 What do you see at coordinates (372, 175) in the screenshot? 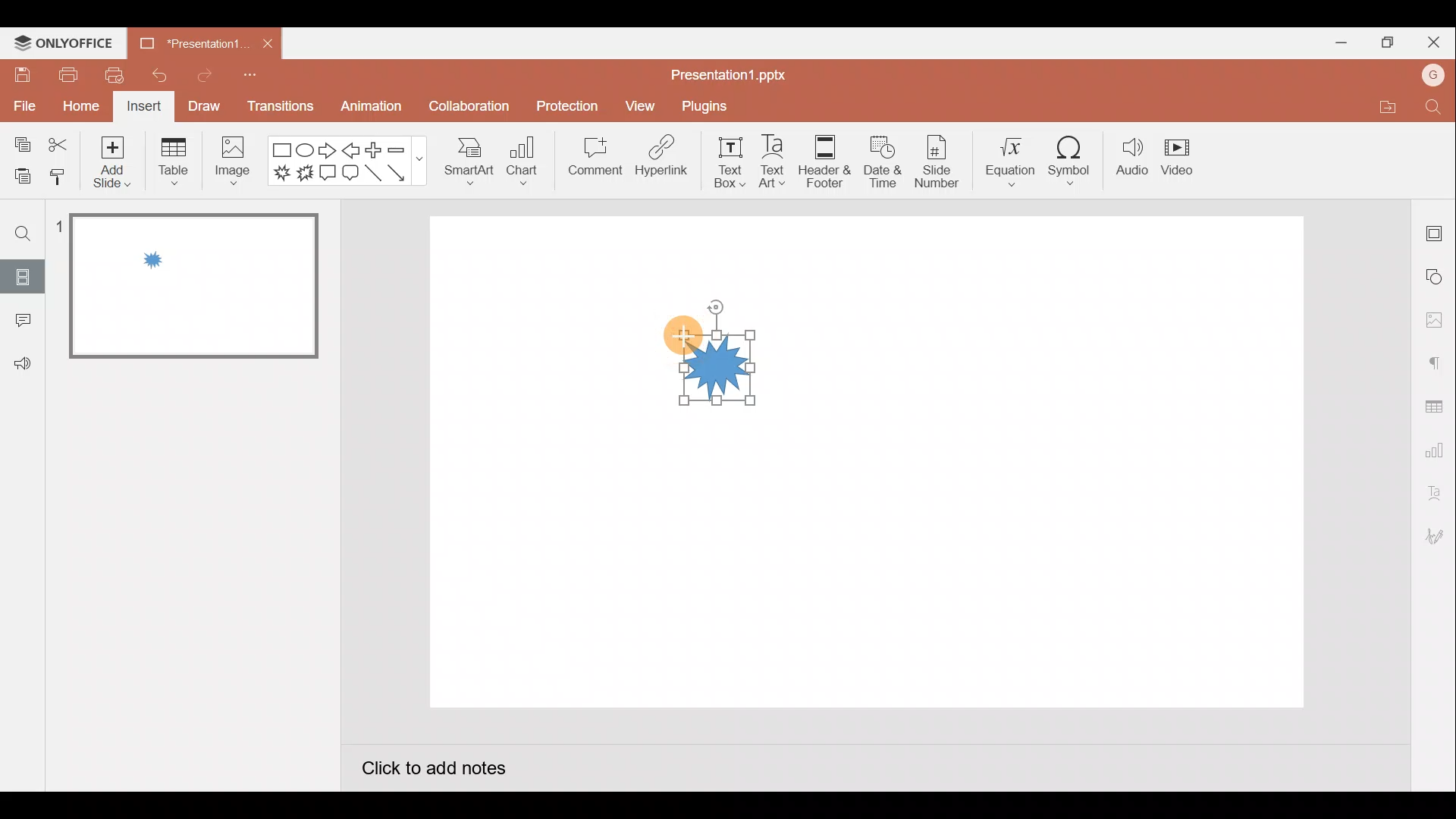
I see `Line` at bounding box center [372, 175].